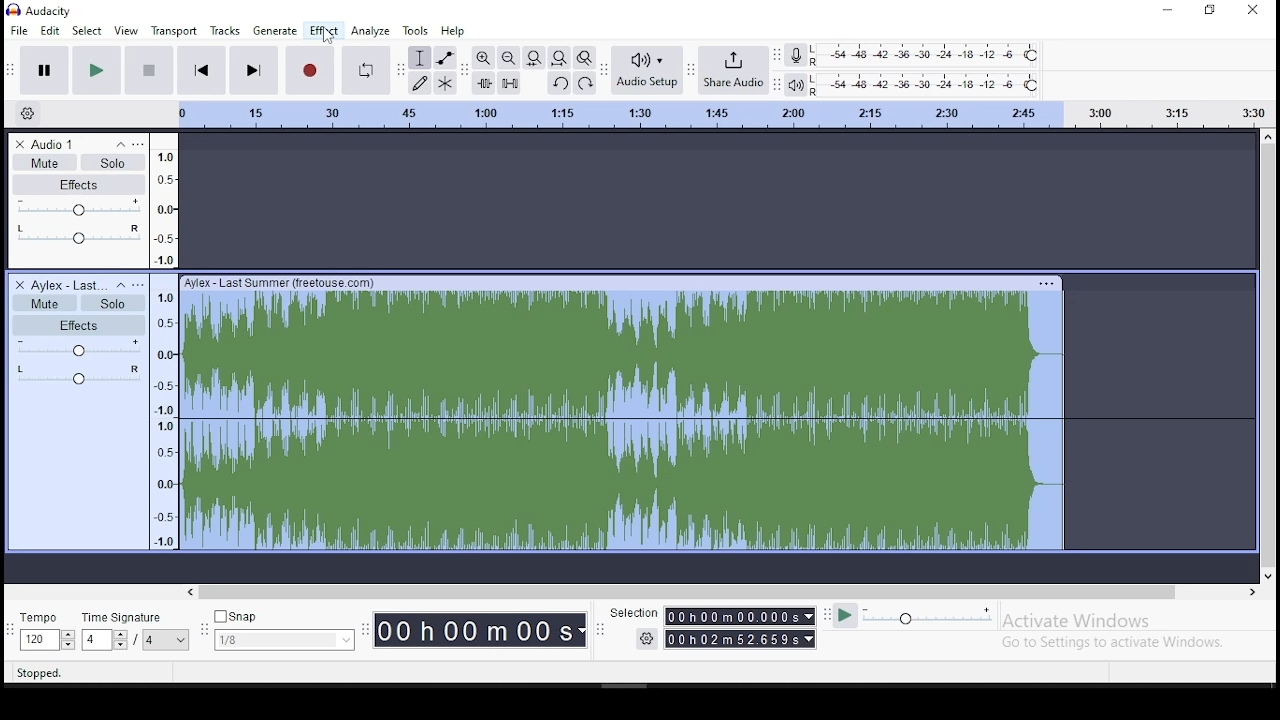 The height and width of the screenshot is (720, 1280). I want to click on undo, so click(559, 83).